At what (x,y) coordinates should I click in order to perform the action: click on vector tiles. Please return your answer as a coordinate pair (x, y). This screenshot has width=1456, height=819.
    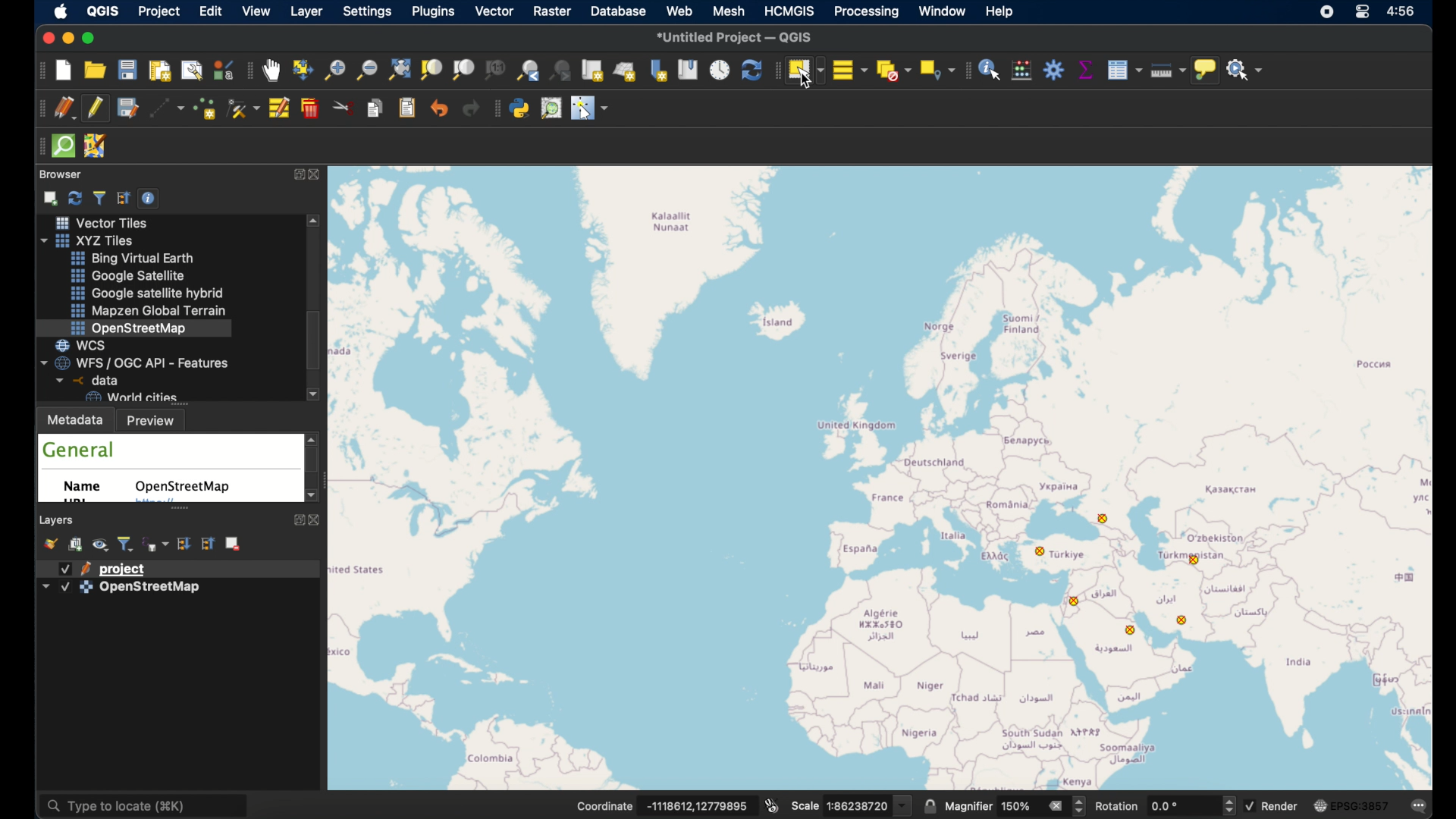
    Looking at the image, I should click on (99, 222).